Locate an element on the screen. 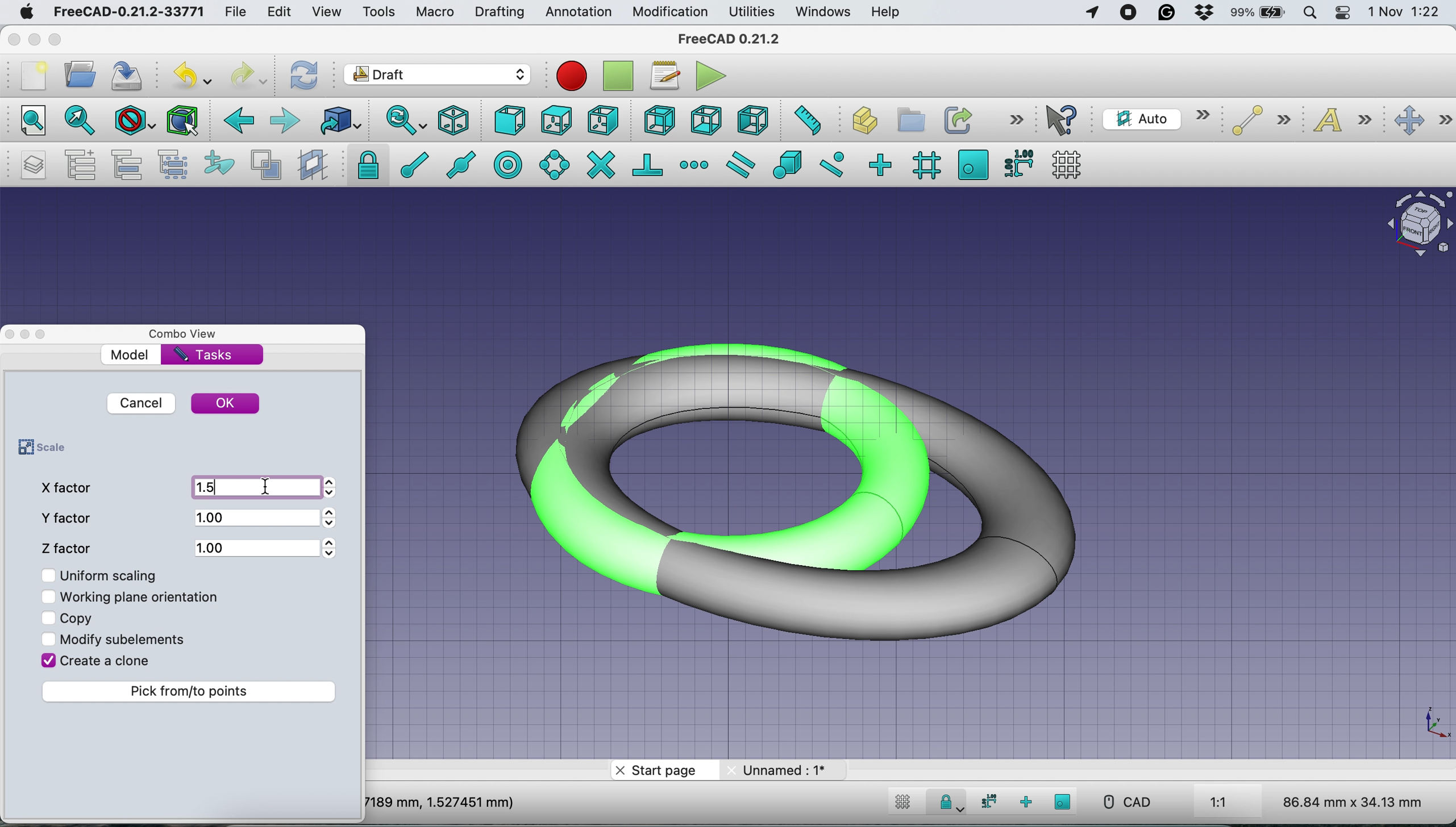 This screenshot has width=1456, height=827. Checkbox is located at coordinates (49, 617).